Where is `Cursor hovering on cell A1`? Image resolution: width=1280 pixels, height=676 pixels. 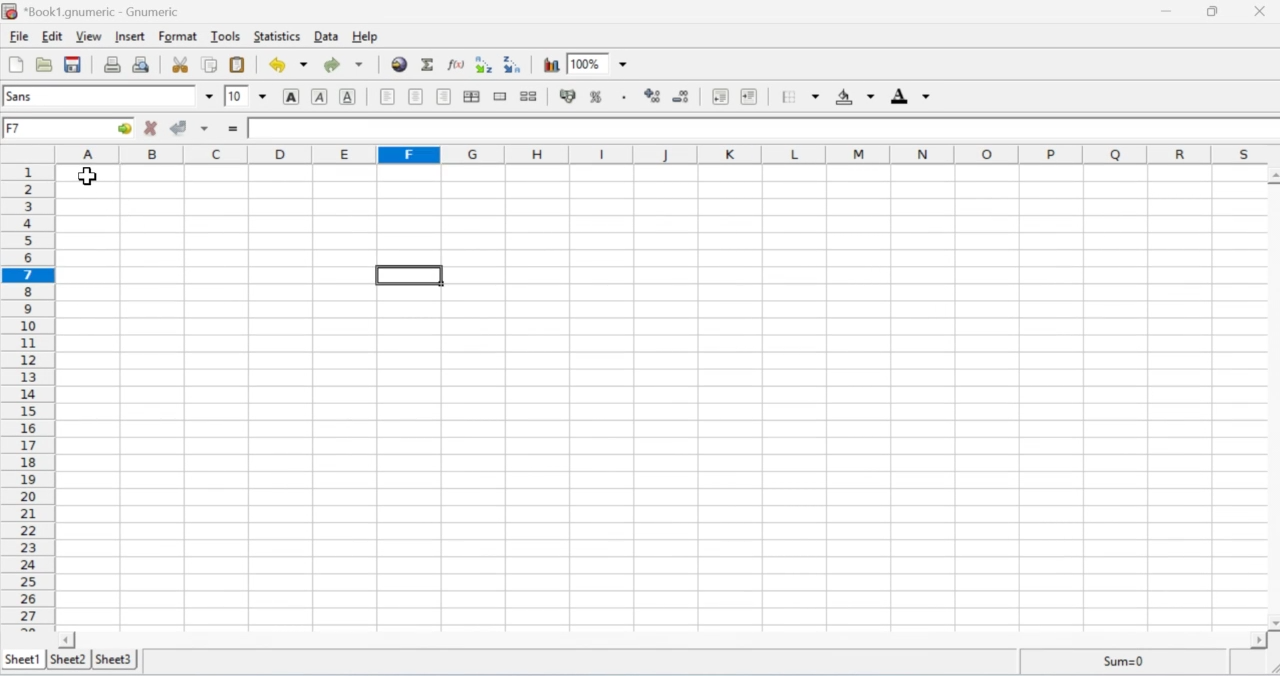
Cursor hovering on cell A1 is located at coordinates (90, 187).